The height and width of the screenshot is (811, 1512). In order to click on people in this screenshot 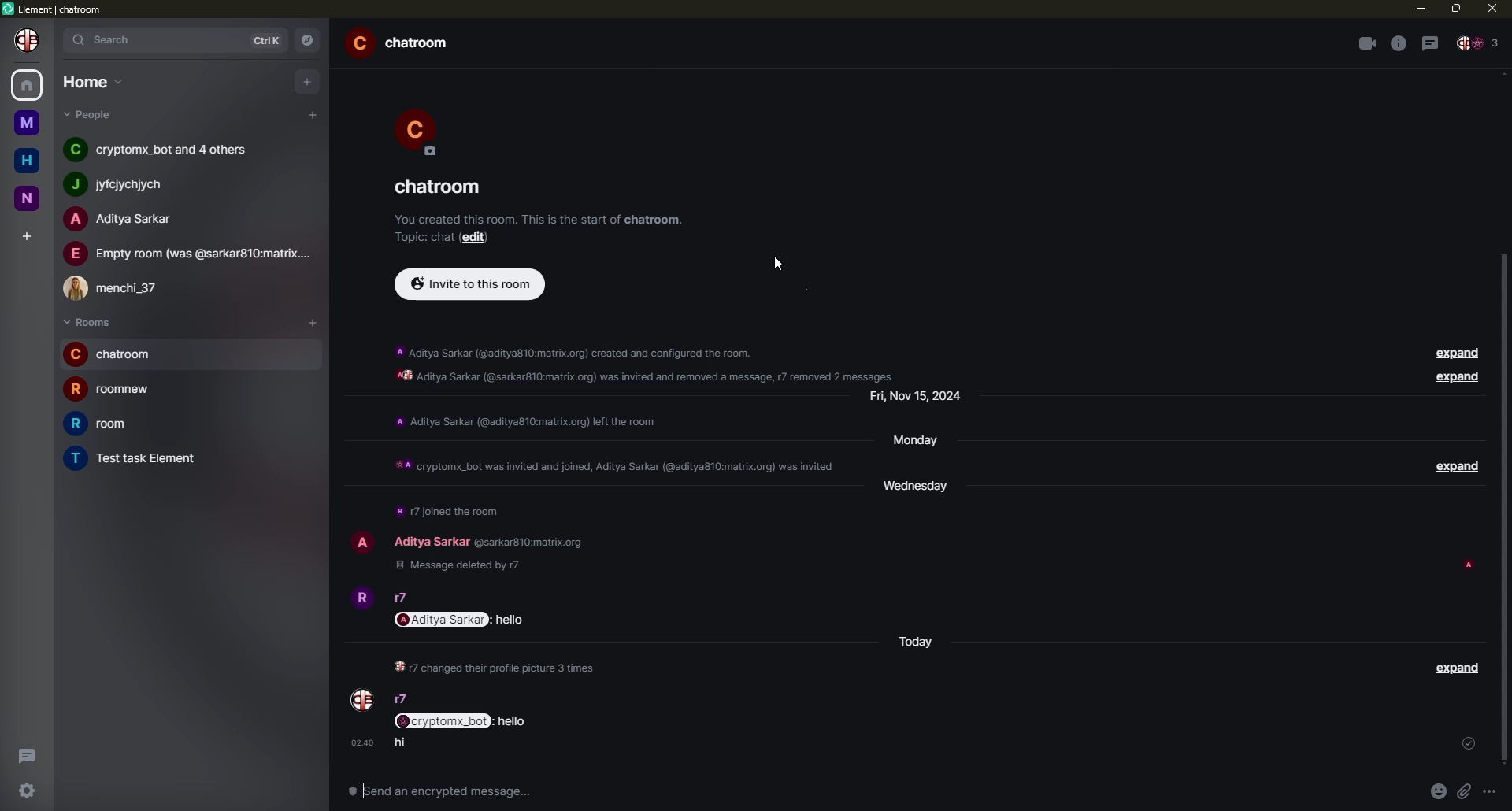, I will do `click(1480, 43)`.